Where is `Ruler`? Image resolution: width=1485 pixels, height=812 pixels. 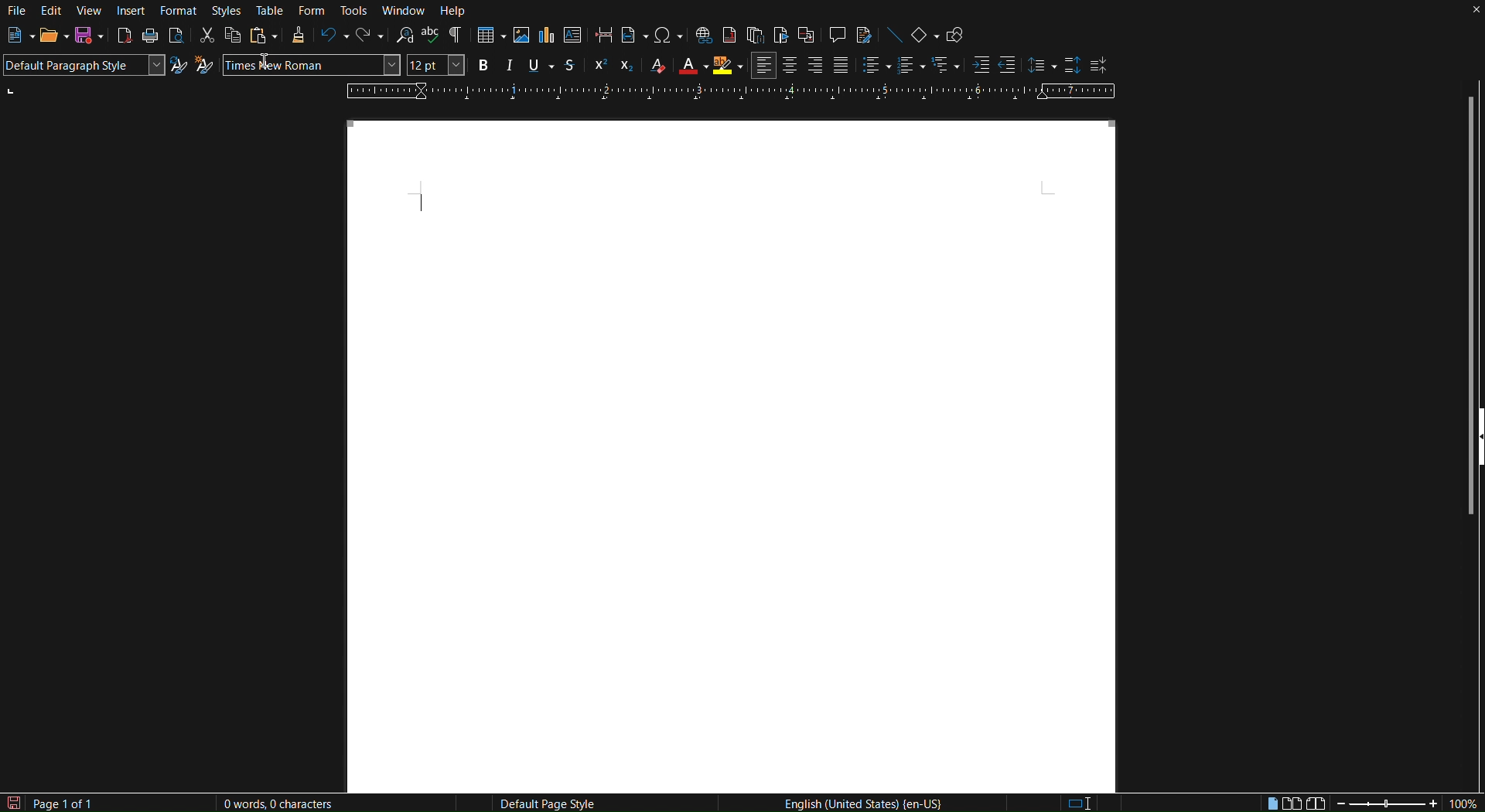
Ruler is located at coordinates (731, 90).